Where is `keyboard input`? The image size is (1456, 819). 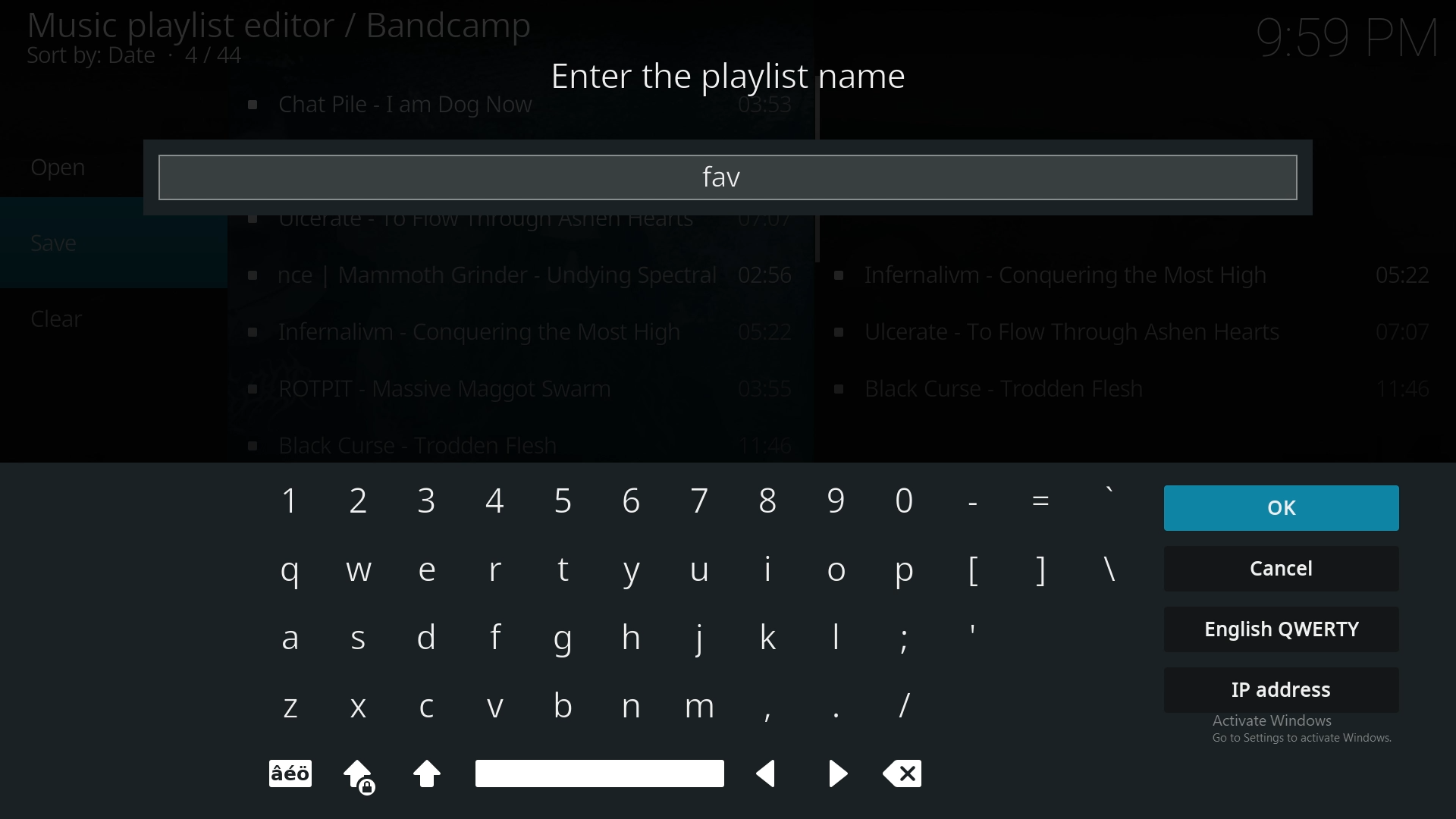 keyboard input is located at coordinates (764, 710).